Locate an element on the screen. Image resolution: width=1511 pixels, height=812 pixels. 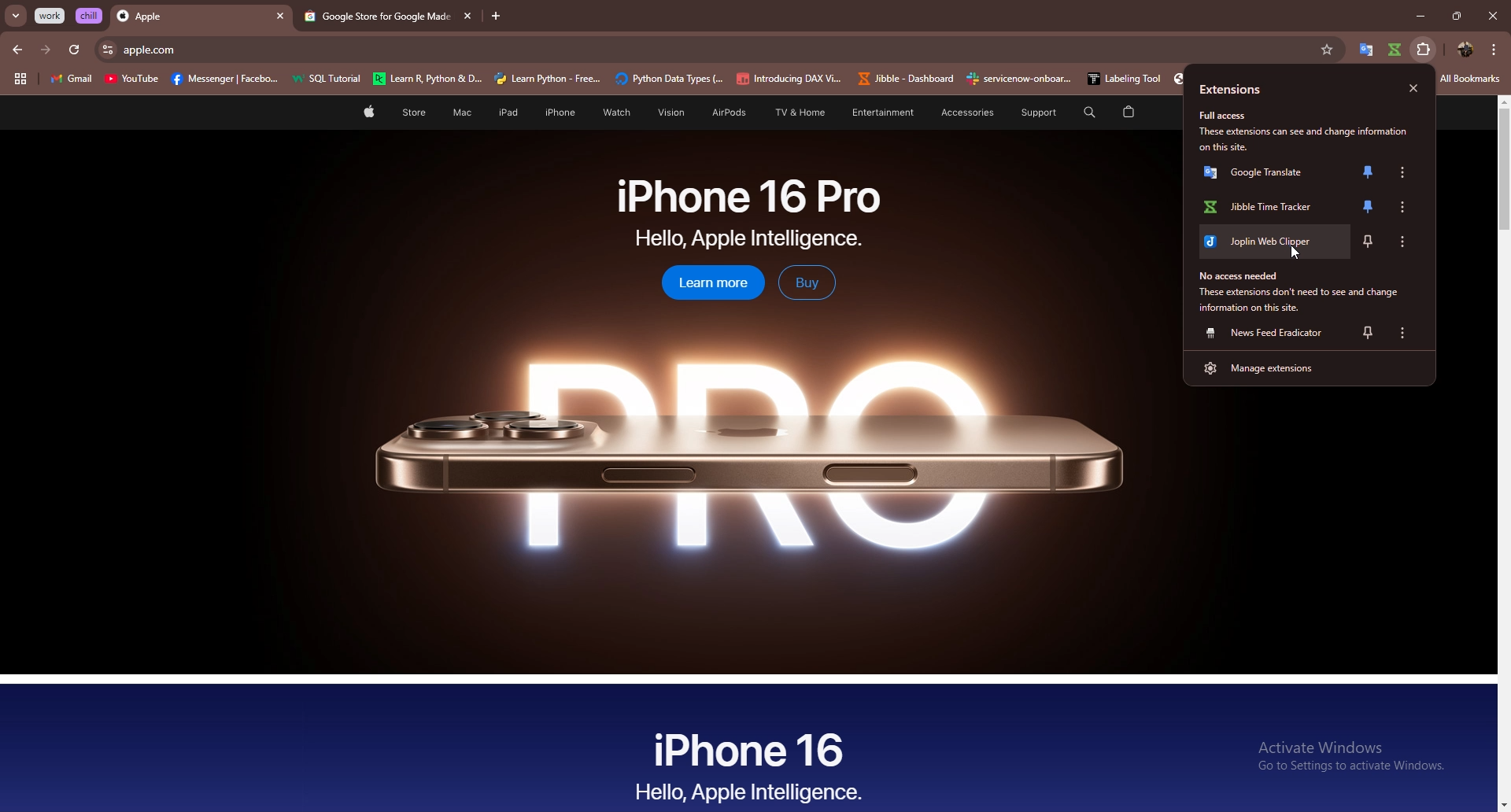
Mac is located at coordinates (461, 113).